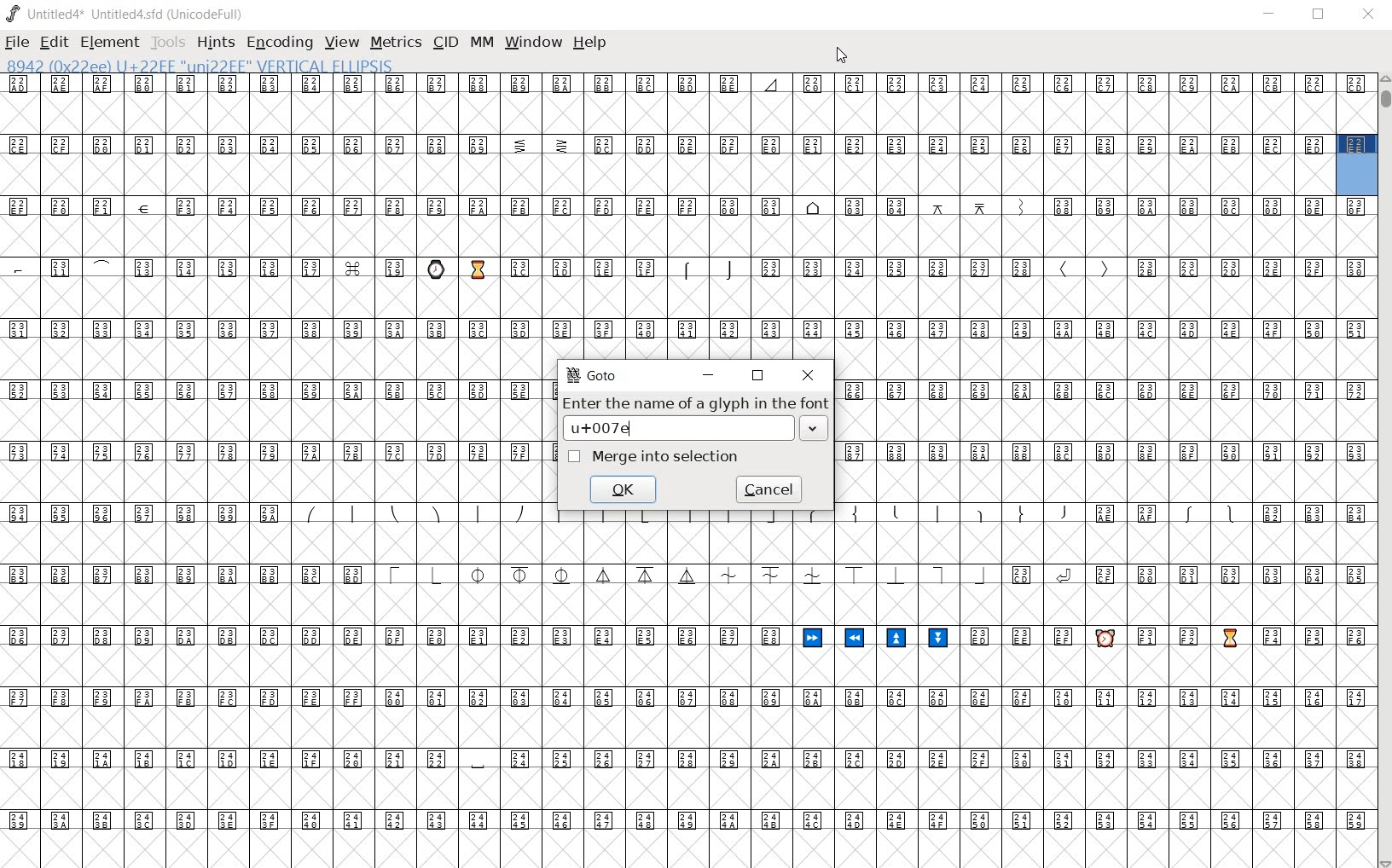 The height and width of the screenshot is (868, 1392). I want to click on TOOLS, so click(168, 42).